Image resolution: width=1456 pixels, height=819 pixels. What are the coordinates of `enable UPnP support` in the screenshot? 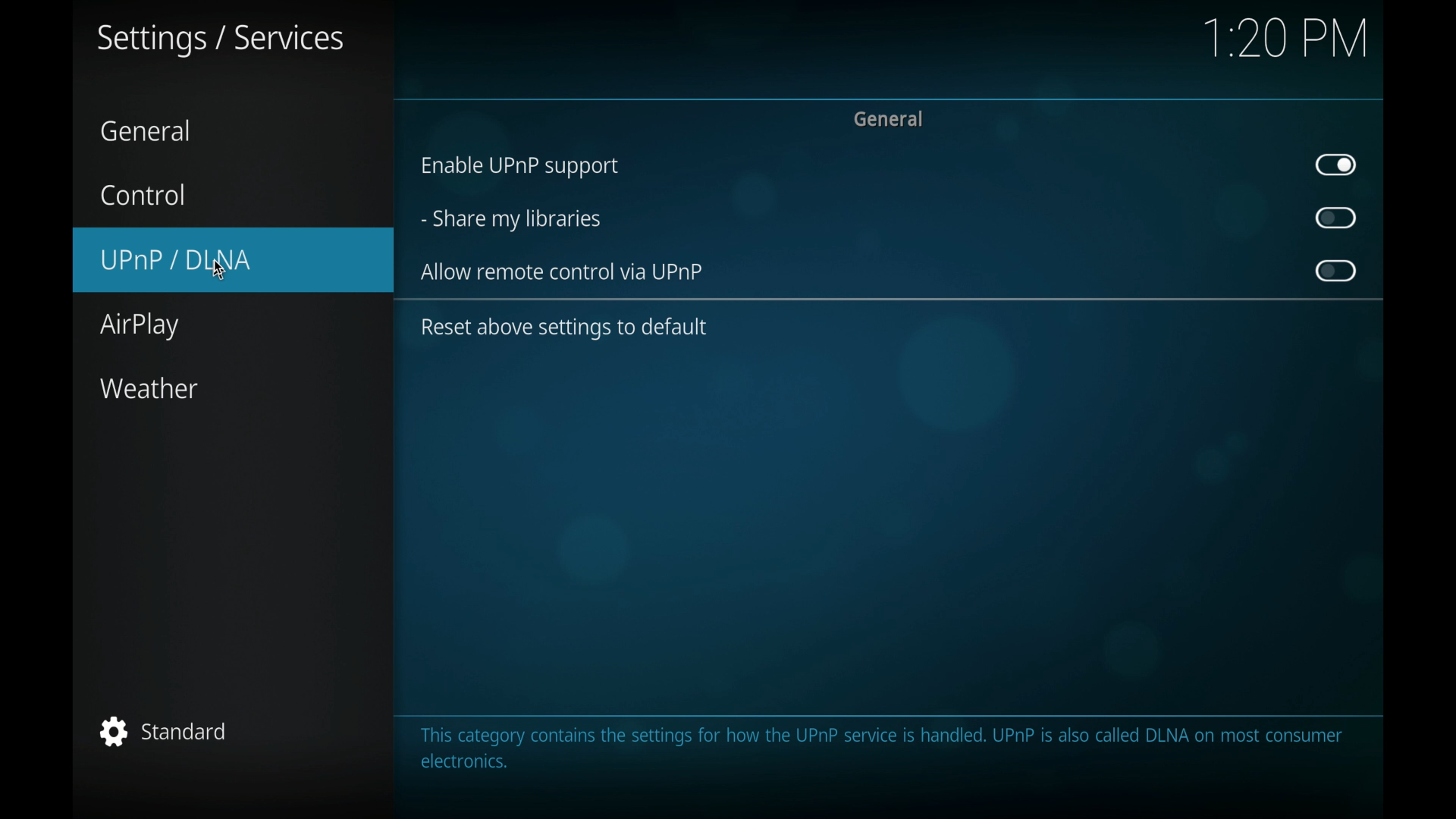 It's located at (518, 168).